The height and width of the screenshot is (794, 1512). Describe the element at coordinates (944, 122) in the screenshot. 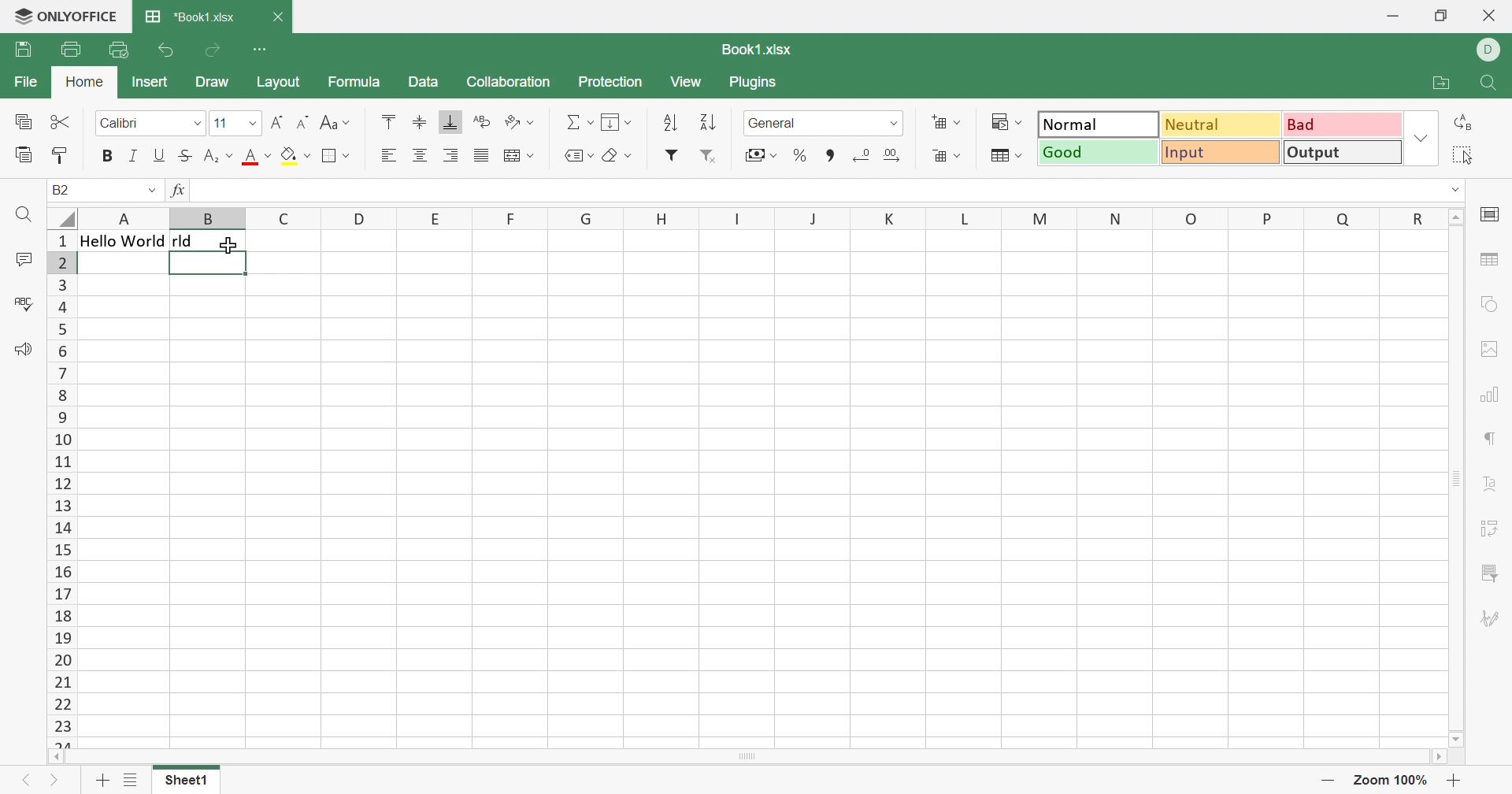

I see `Increase cells` at that location.